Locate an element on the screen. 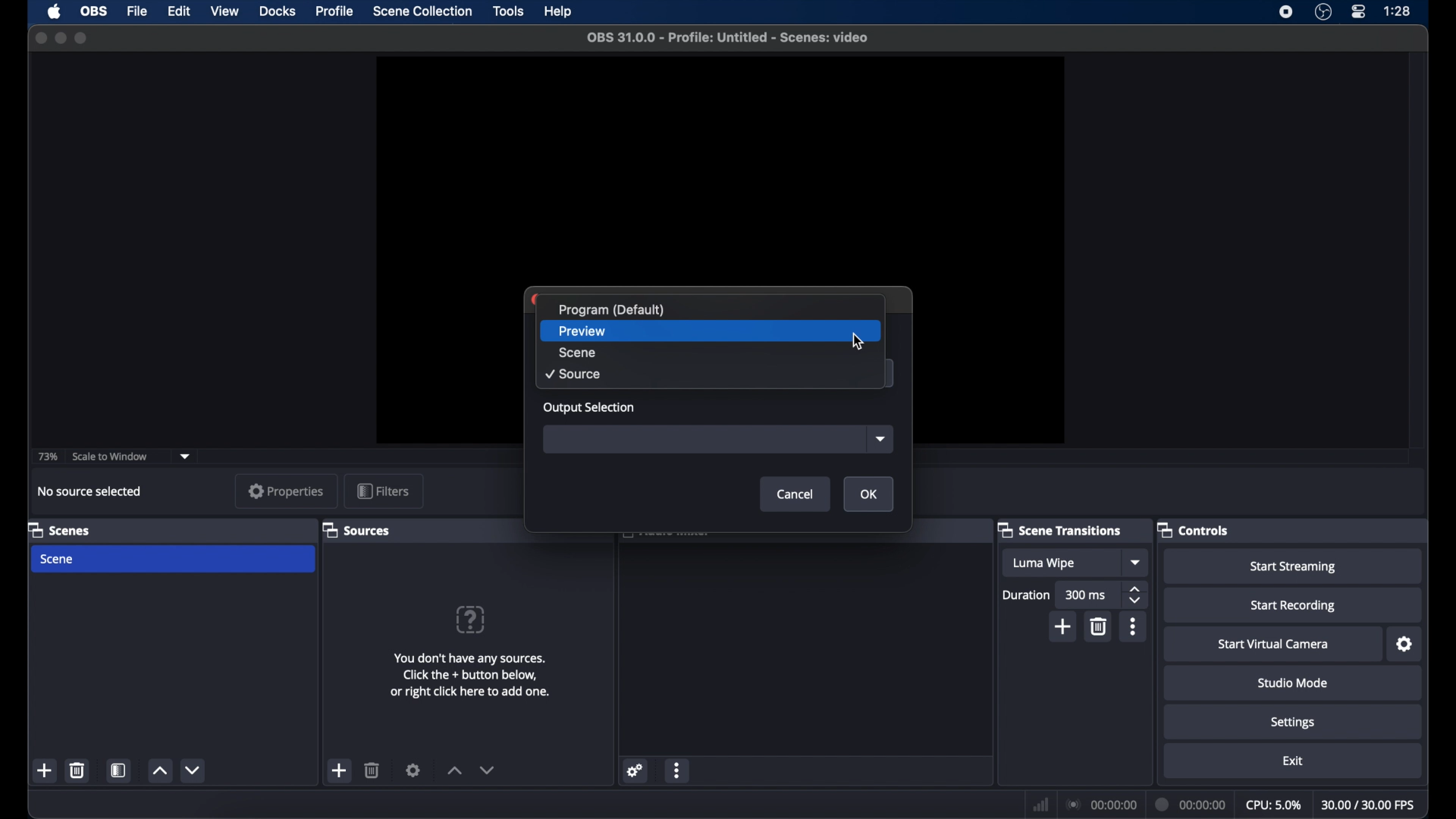 This screenshot has width=1456, height=819. help is located at coordinates (472, 619).